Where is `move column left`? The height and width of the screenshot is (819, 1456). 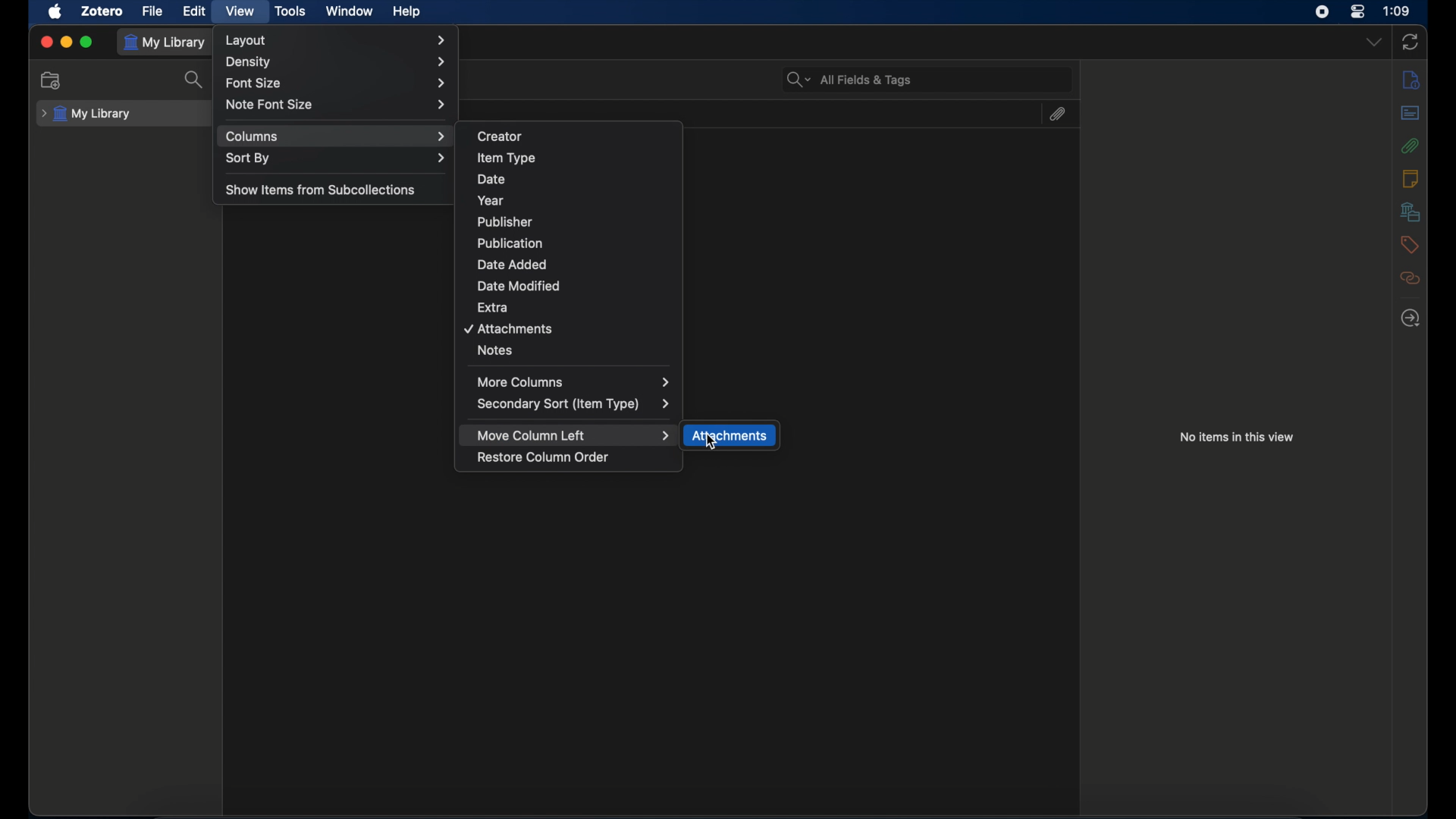
move column left is located at coordinates (573, 436).